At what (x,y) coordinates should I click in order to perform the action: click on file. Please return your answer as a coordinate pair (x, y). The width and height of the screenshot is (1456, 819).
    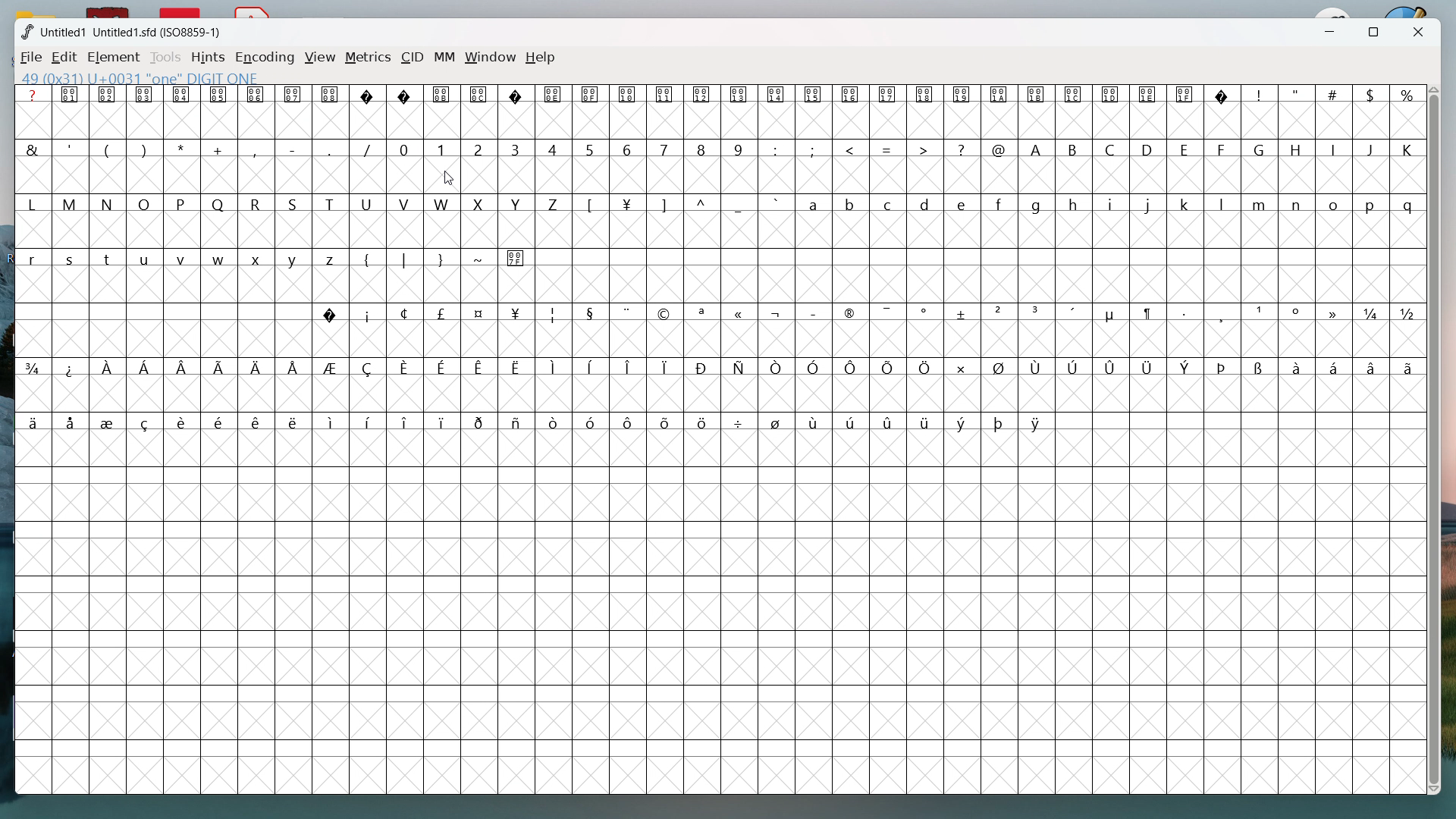
    Looking at the image, I should click on (32, 58).